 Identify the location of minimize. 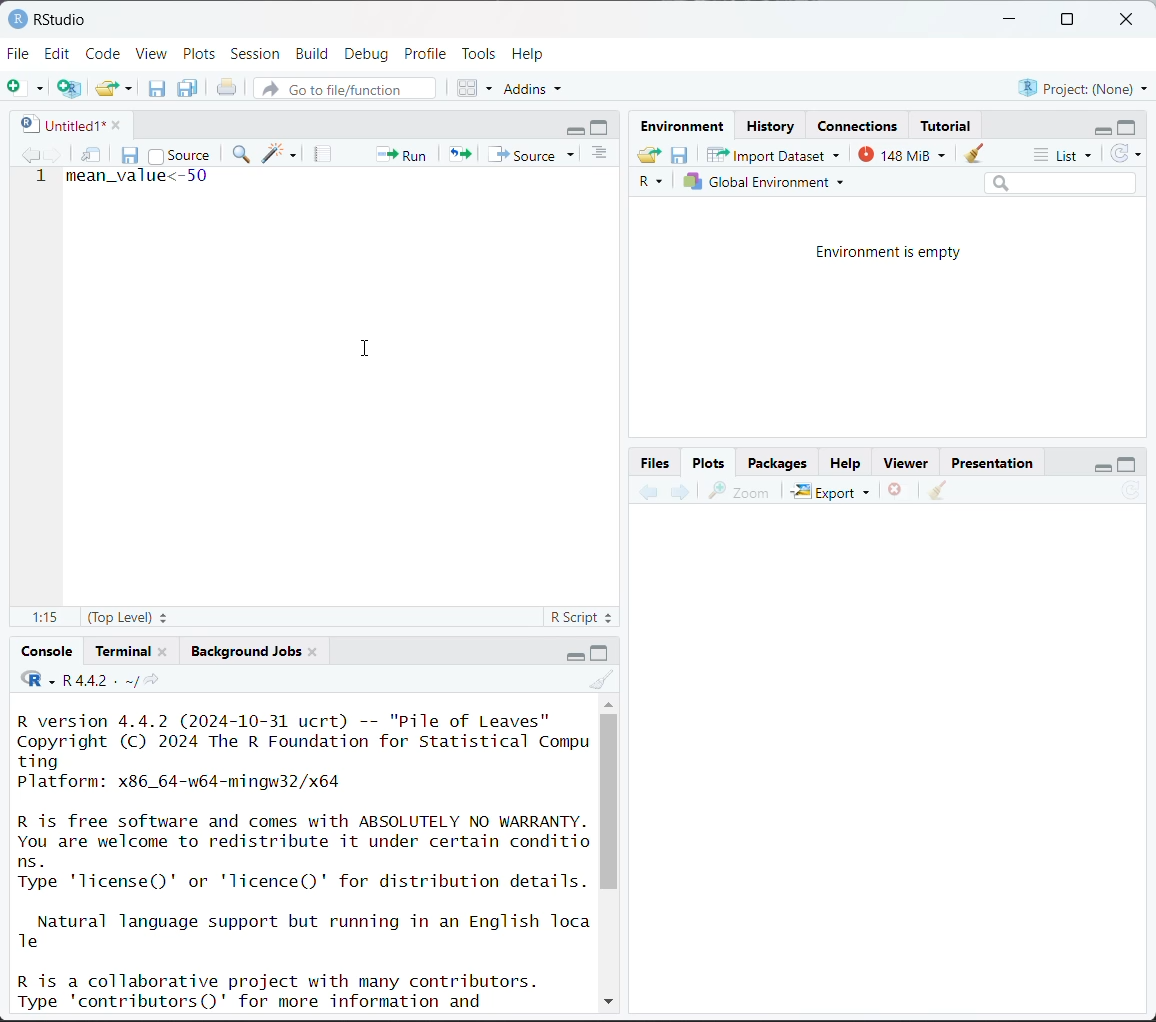
(1099, 464).